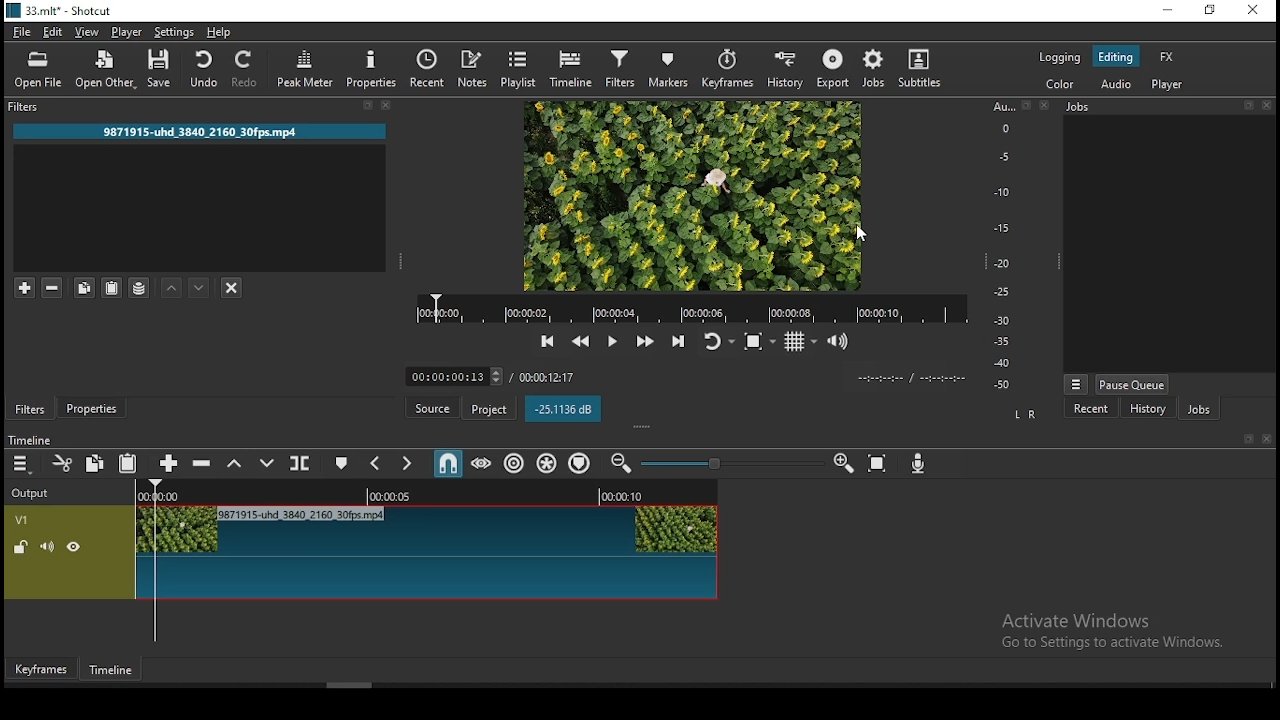 The height and width of the screenshot is (720, 1280). I want to click on timeline, so click(570, 71).